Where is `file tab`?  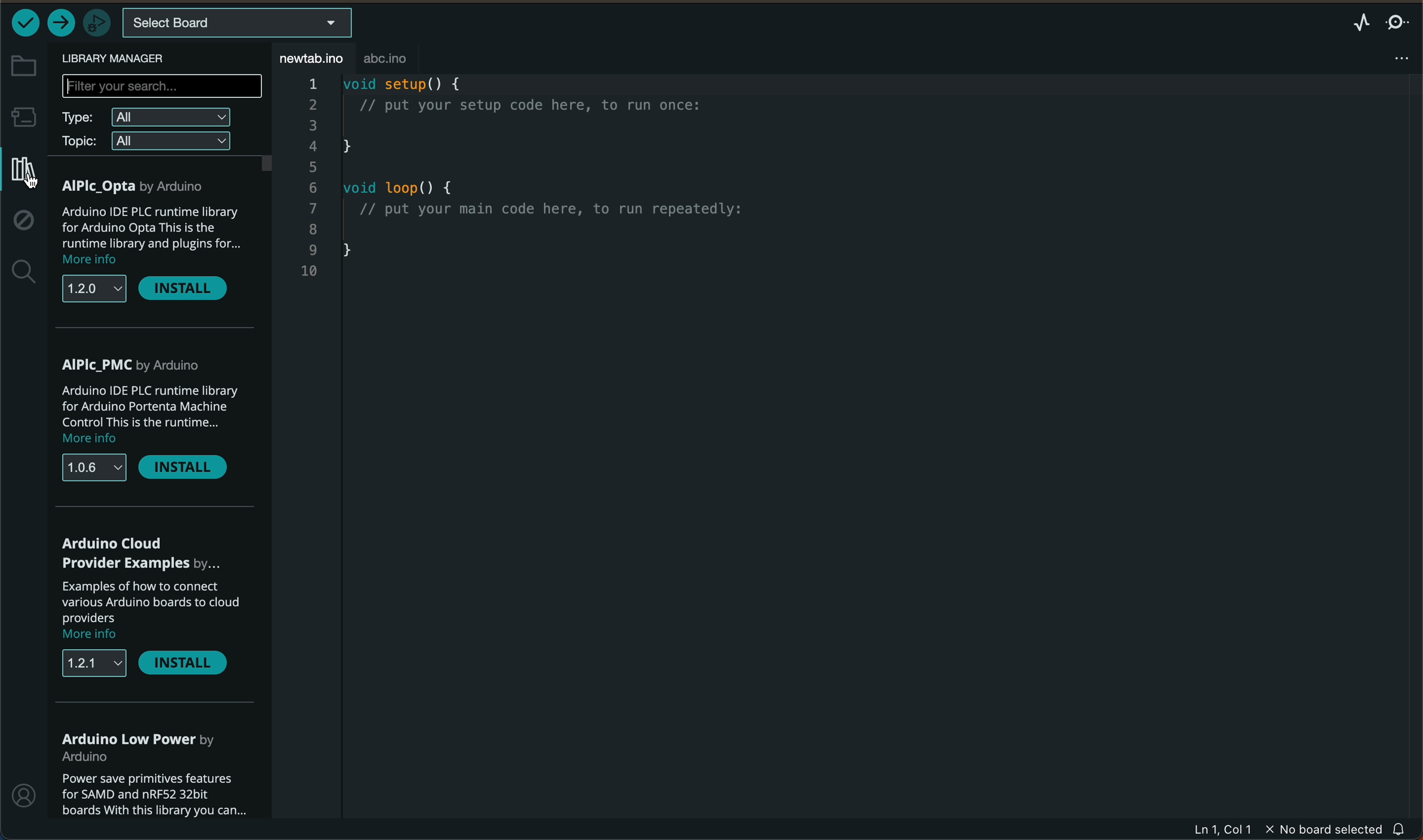
file tab is located at coordinates (314, 58).